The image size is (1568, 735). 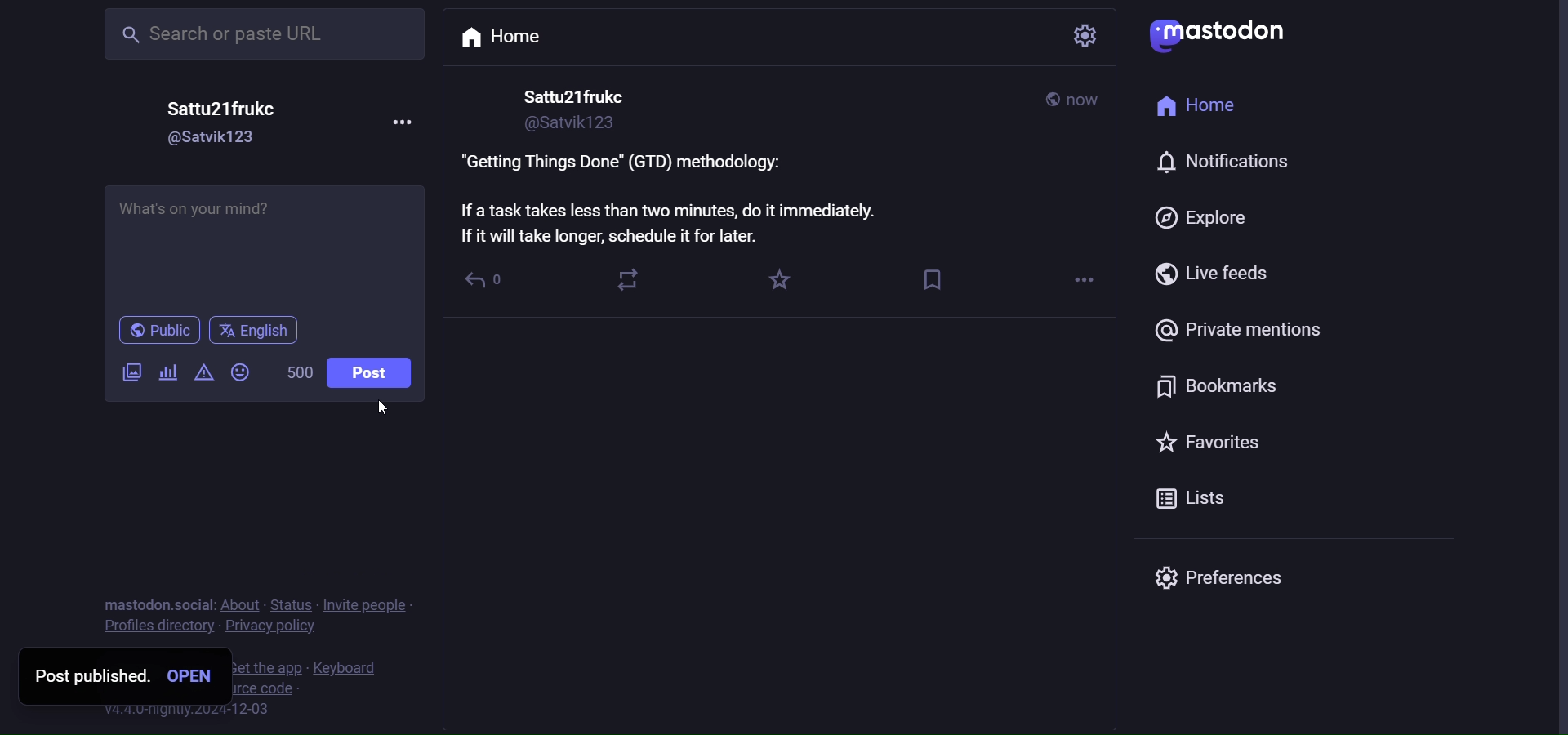 What do you see at coordinates (83, 675) in the screenshot?
I see `post published` at bounding box center [83, 675].